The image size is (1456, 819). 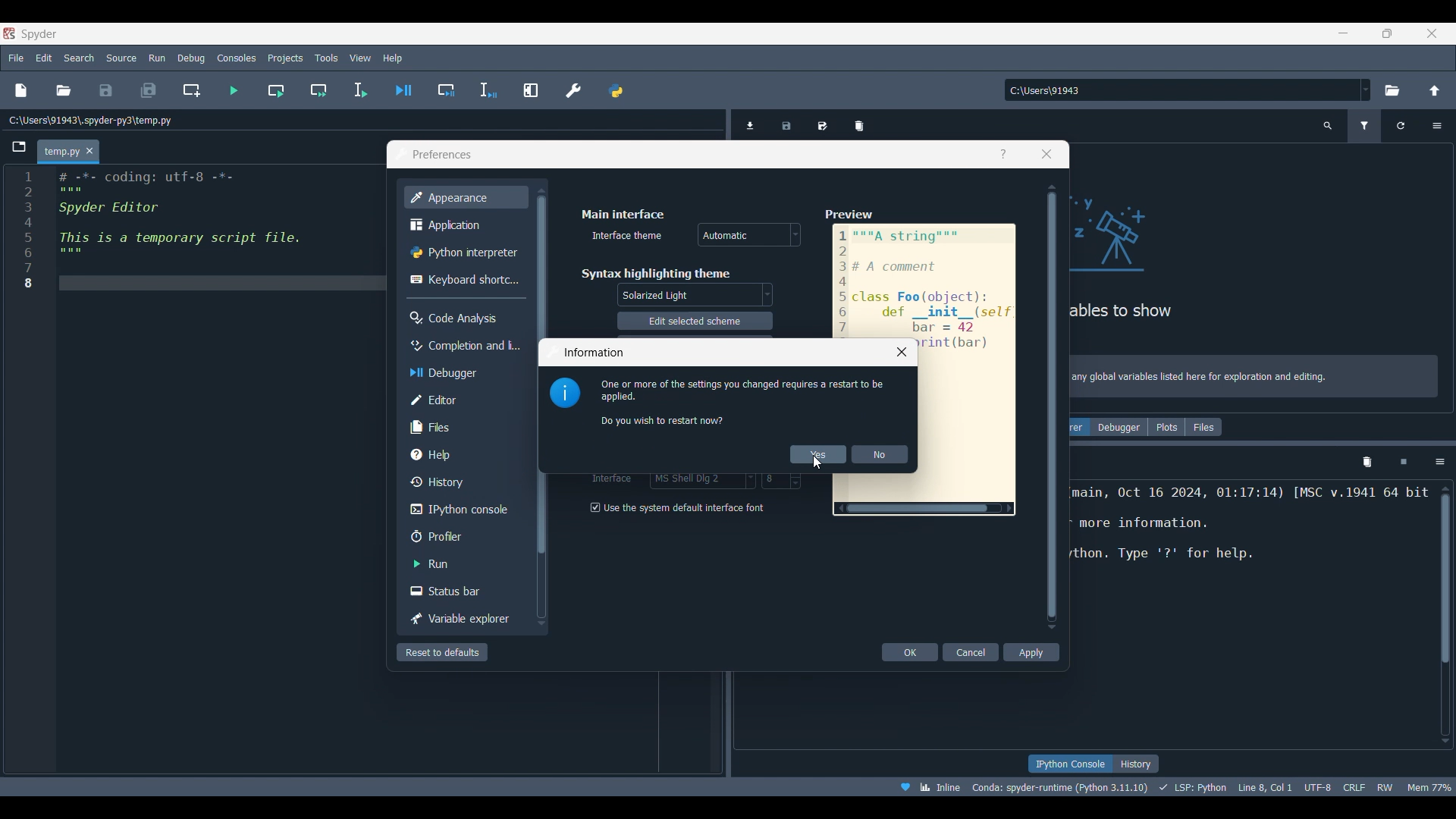 I want to click on Consoles menu, so click(x=236, y=58).